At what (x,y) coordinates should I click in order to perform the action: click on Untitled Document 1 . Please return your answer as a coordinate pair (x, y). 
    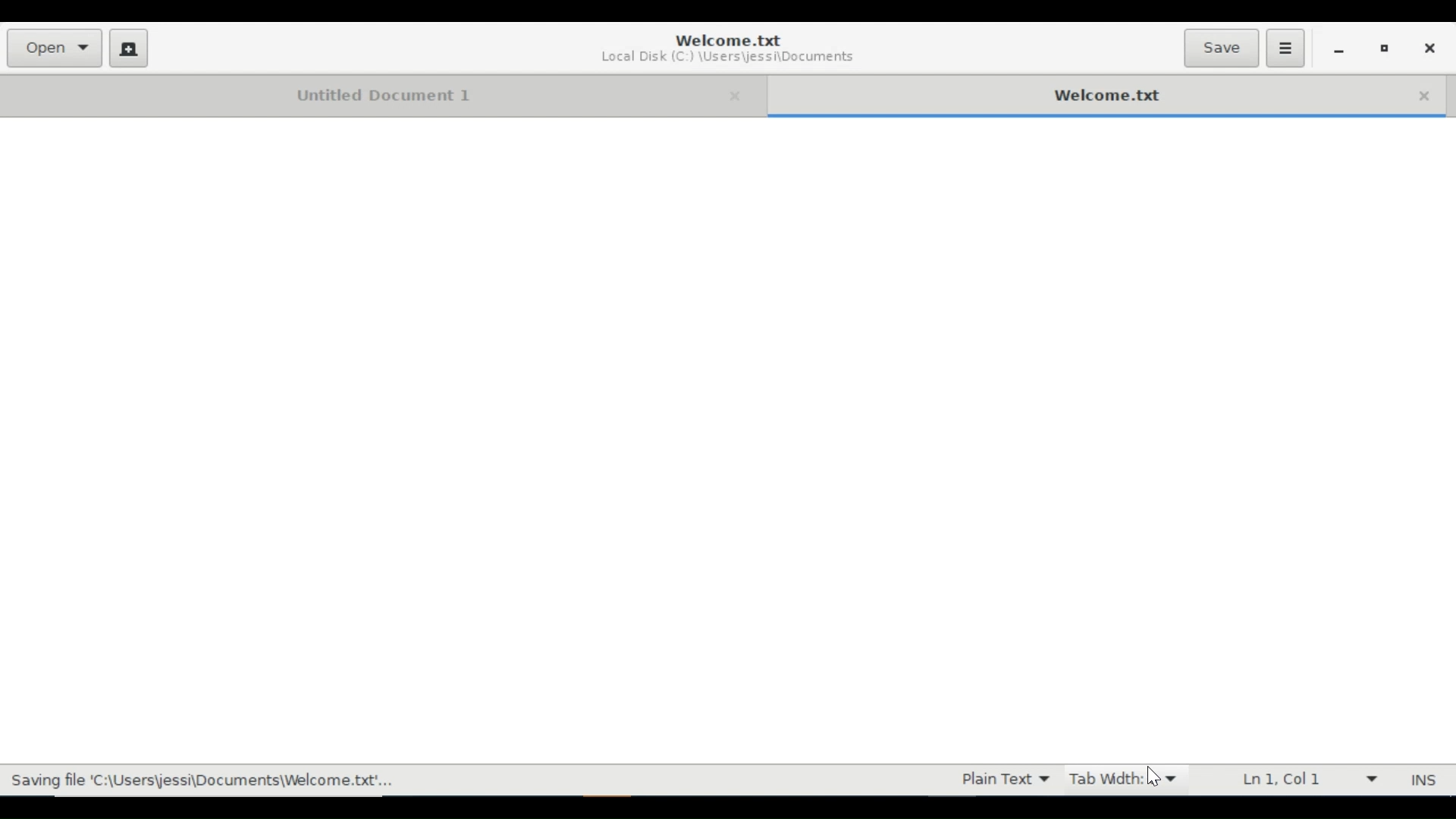
    Looking at the image, I should click on (356, 94).